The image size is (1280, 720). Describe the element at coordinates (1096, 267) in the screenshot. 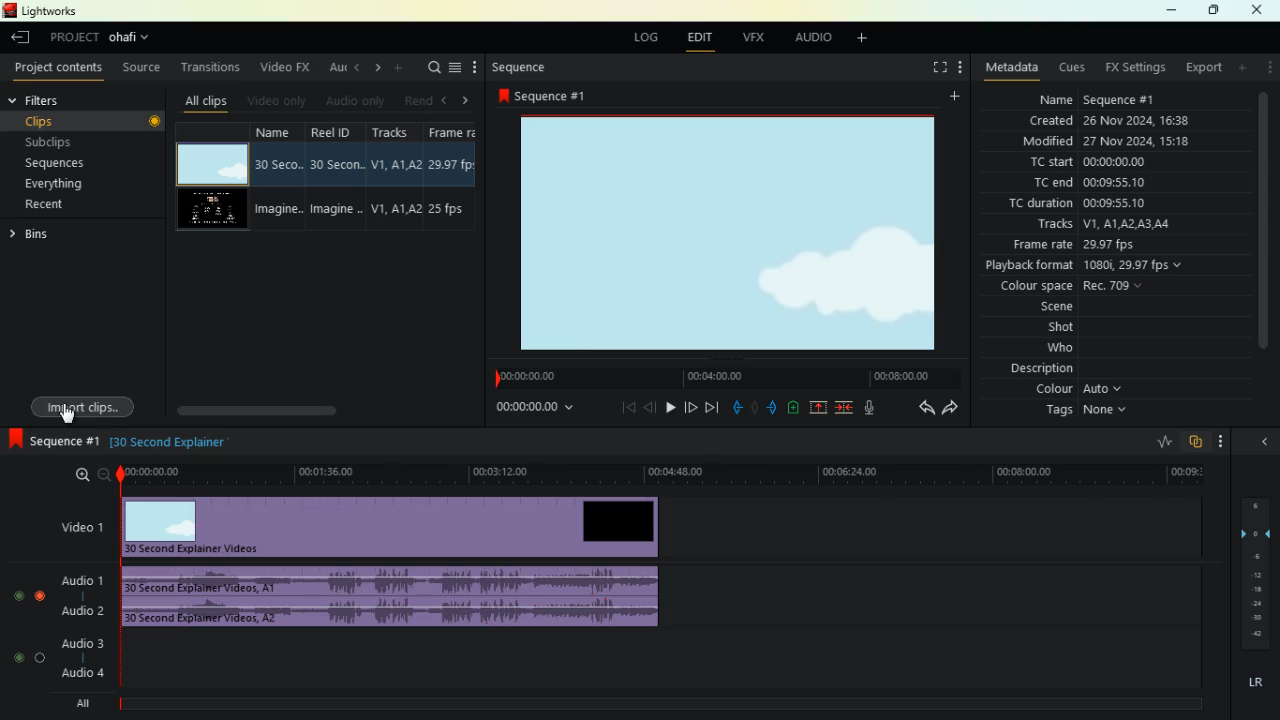

I see `playback format` at that location.